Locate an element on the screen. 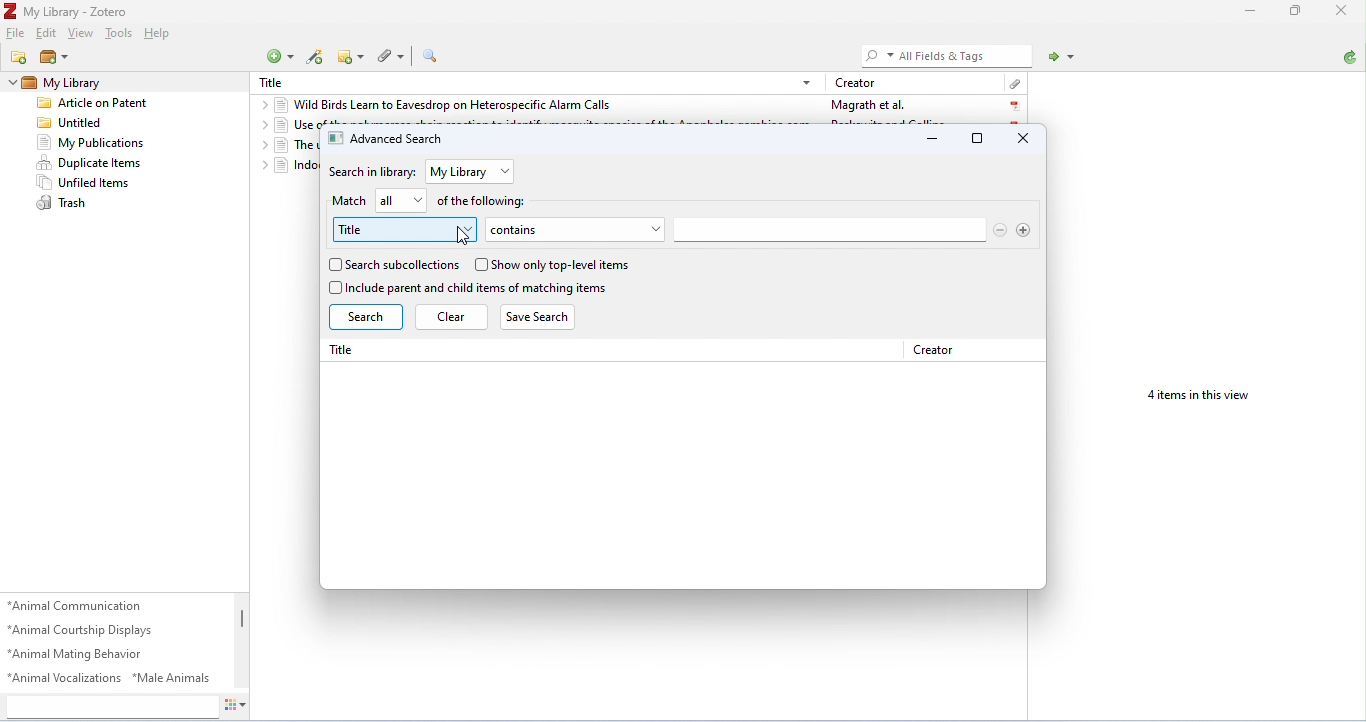  close is located at coordinates (1343, 12).